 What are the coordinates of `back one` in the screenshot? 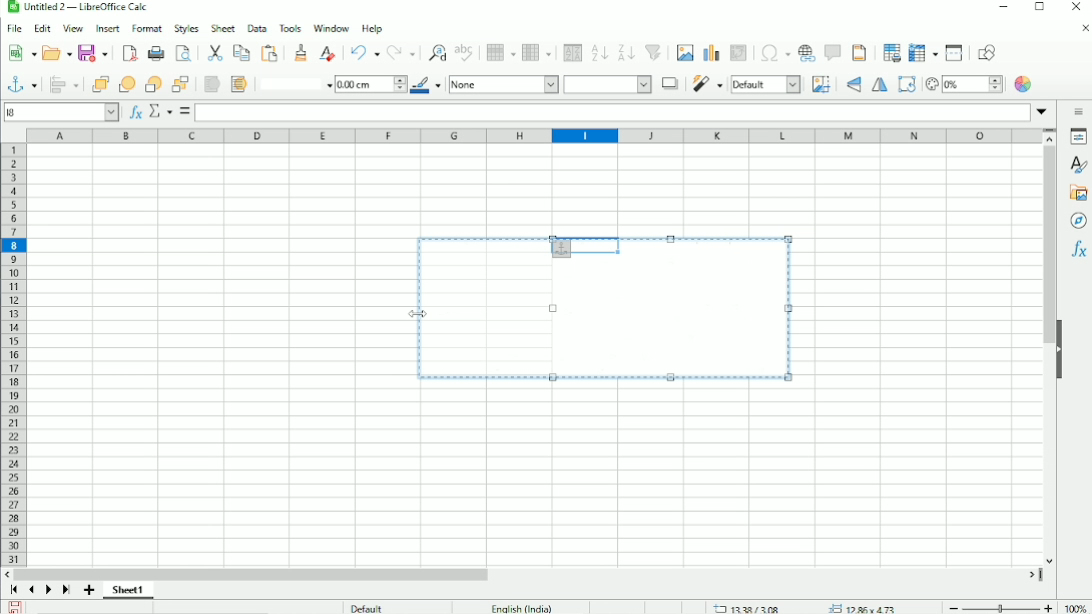 It's located at (153, 84).